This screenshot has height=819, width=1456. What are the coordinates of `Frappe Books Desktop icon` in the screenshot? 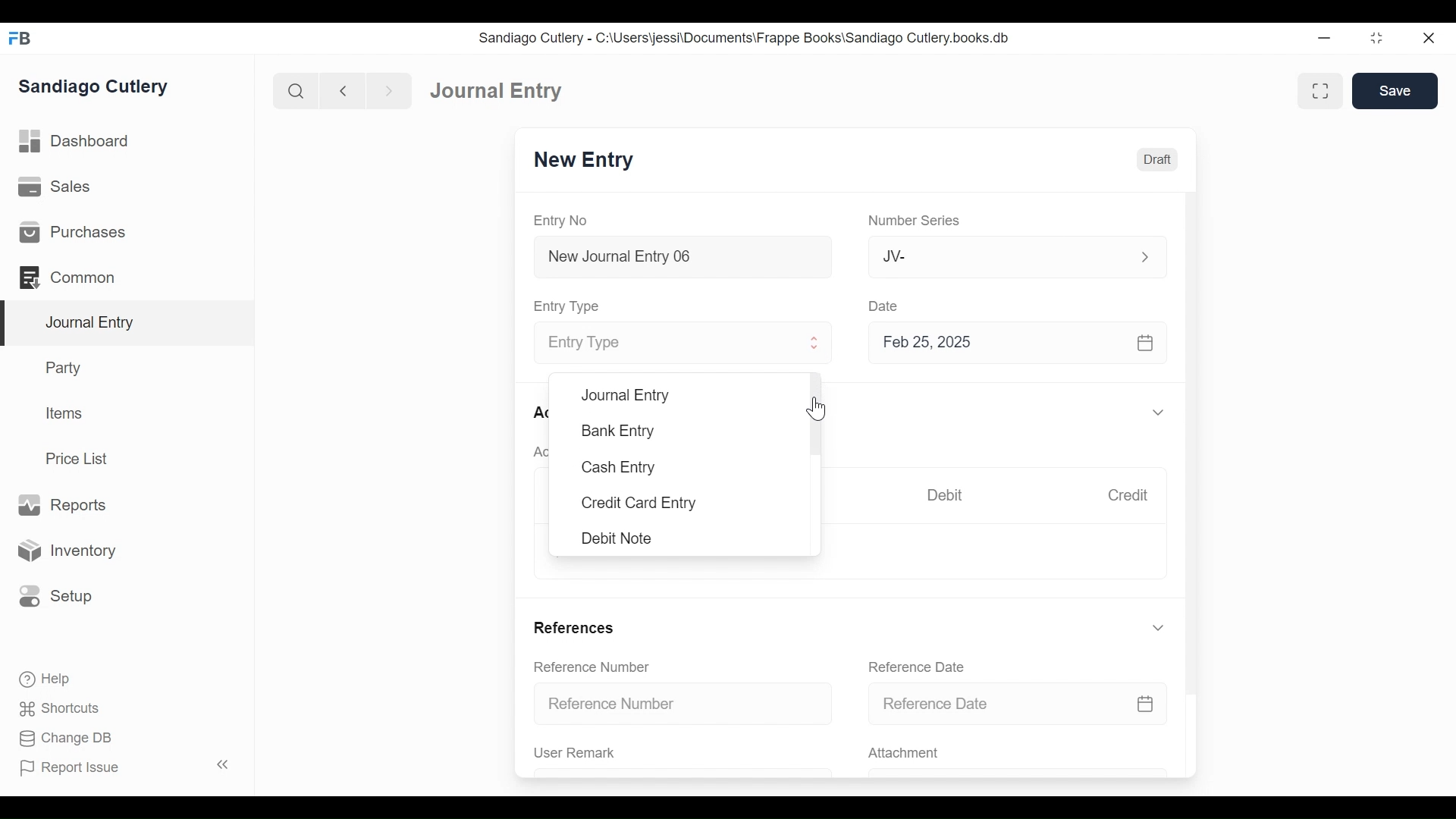 It's located at (21, 39).